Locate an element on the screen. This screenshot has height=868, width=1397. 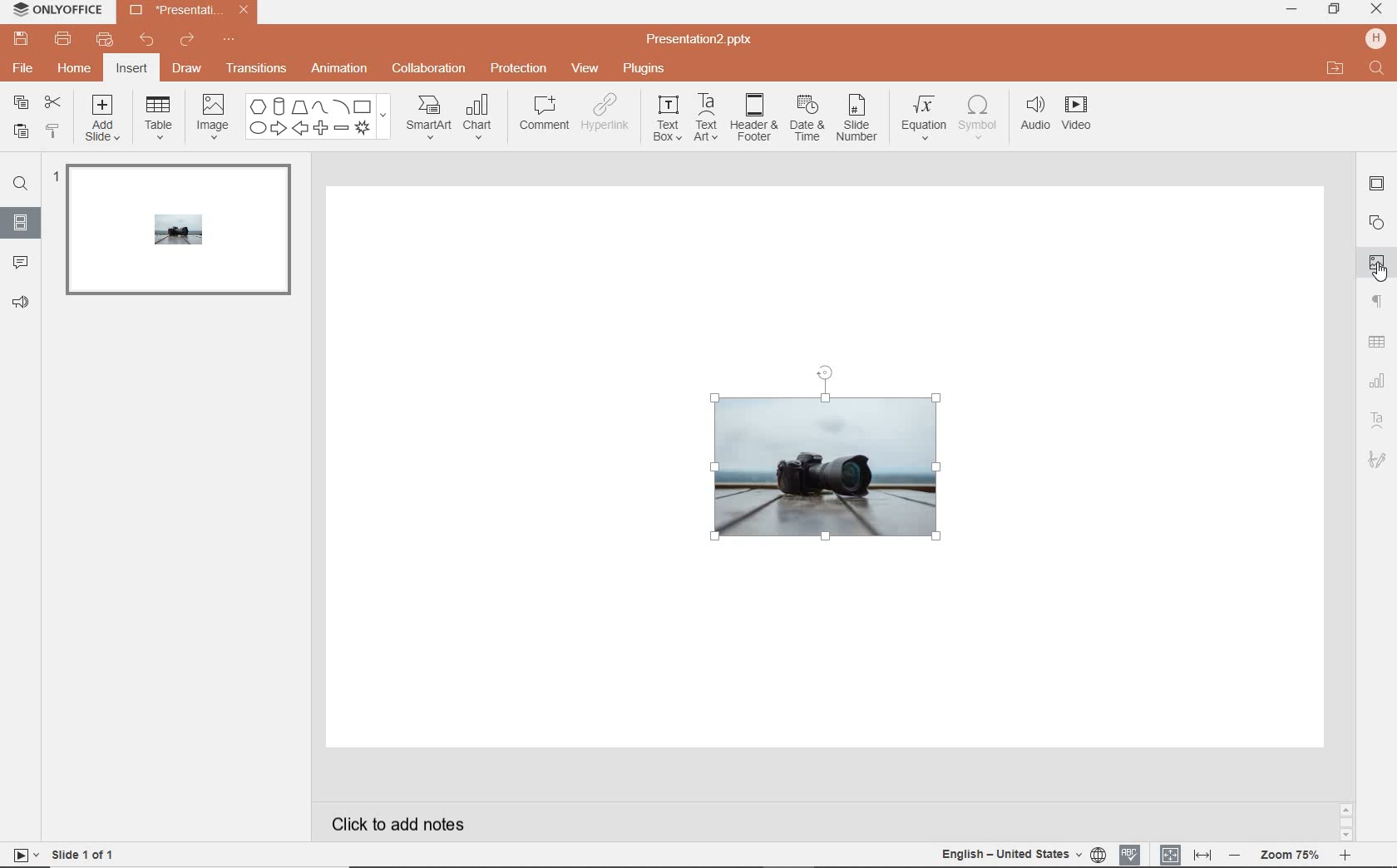
spell check is located at coordinates (1132, 855).